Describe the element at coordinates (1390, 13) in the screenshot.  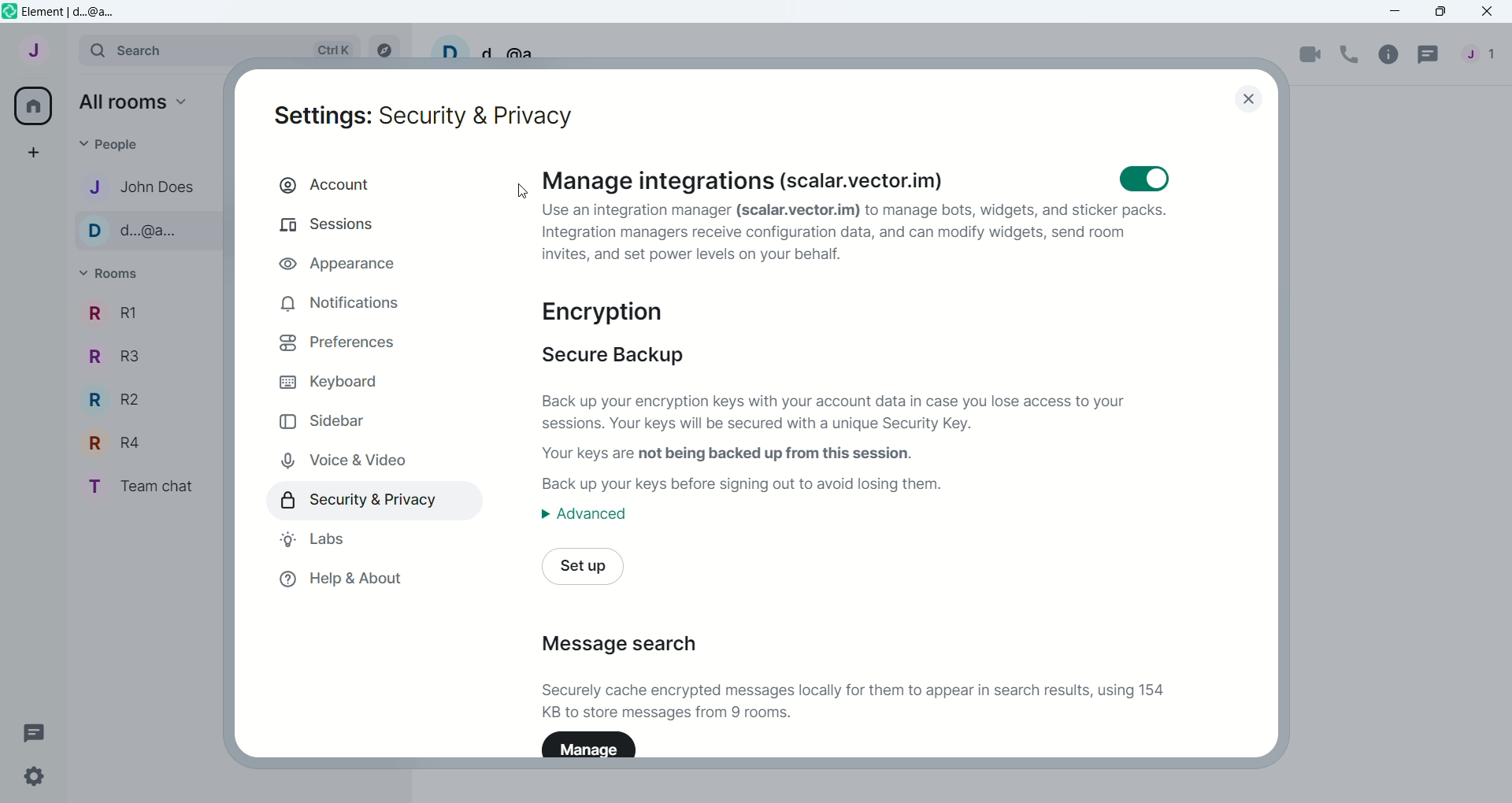
I see `minimize` at that location.